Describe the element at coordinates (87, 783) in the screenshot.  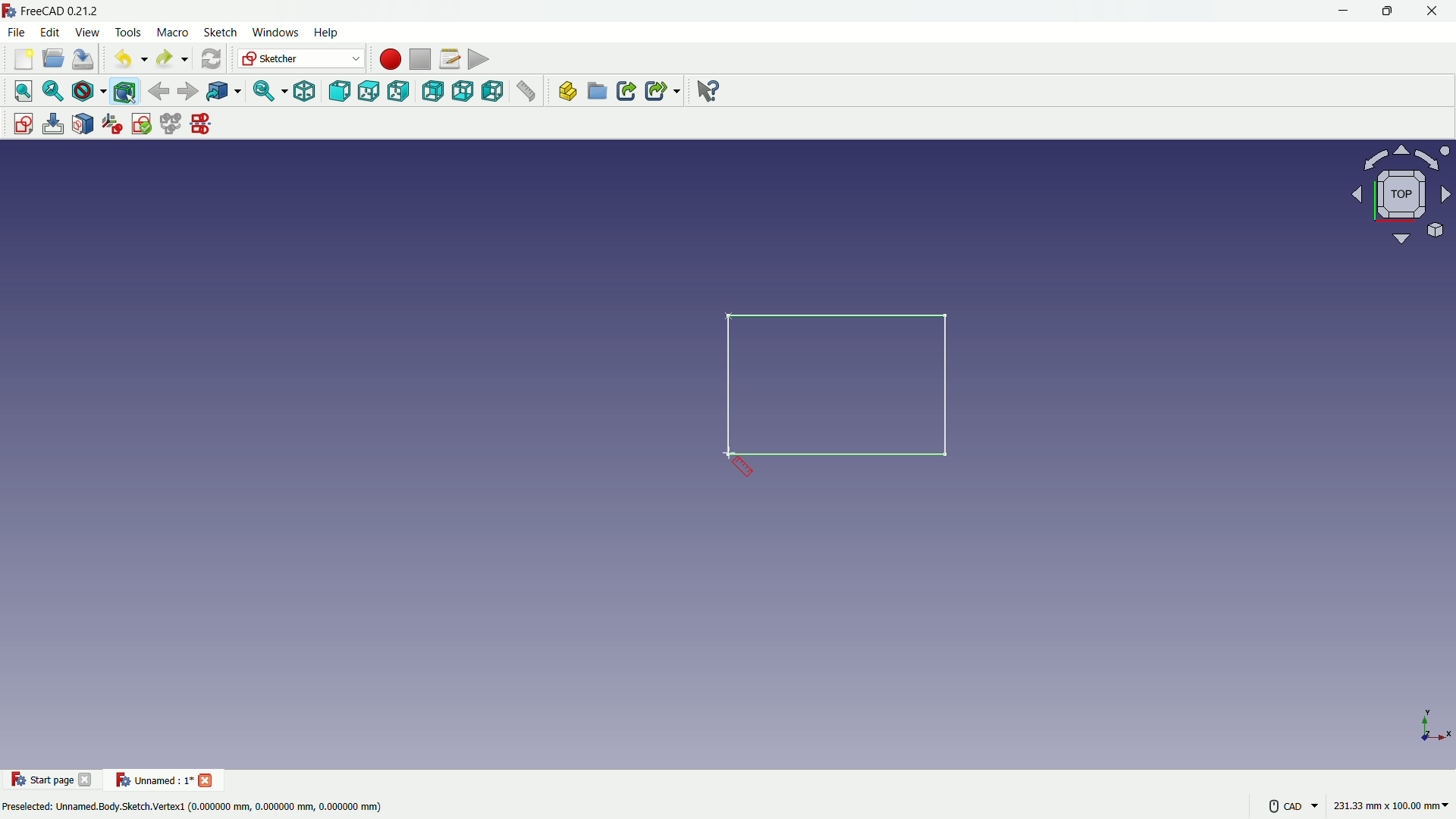
I see `close start page` at that location.